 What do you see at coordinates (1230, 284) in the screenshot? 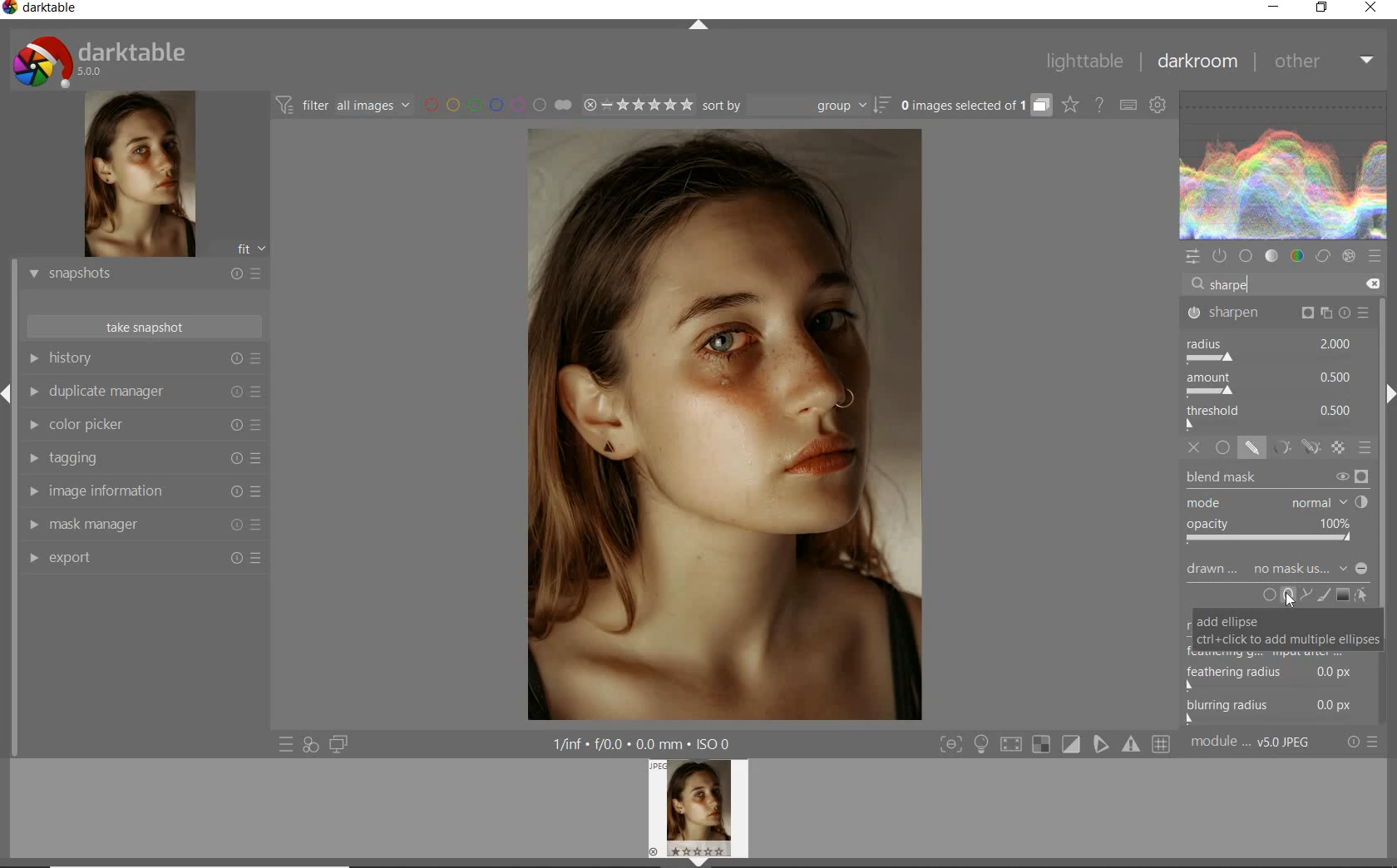
I see `INPUT VALUE` at bounding box center [1230, 284].